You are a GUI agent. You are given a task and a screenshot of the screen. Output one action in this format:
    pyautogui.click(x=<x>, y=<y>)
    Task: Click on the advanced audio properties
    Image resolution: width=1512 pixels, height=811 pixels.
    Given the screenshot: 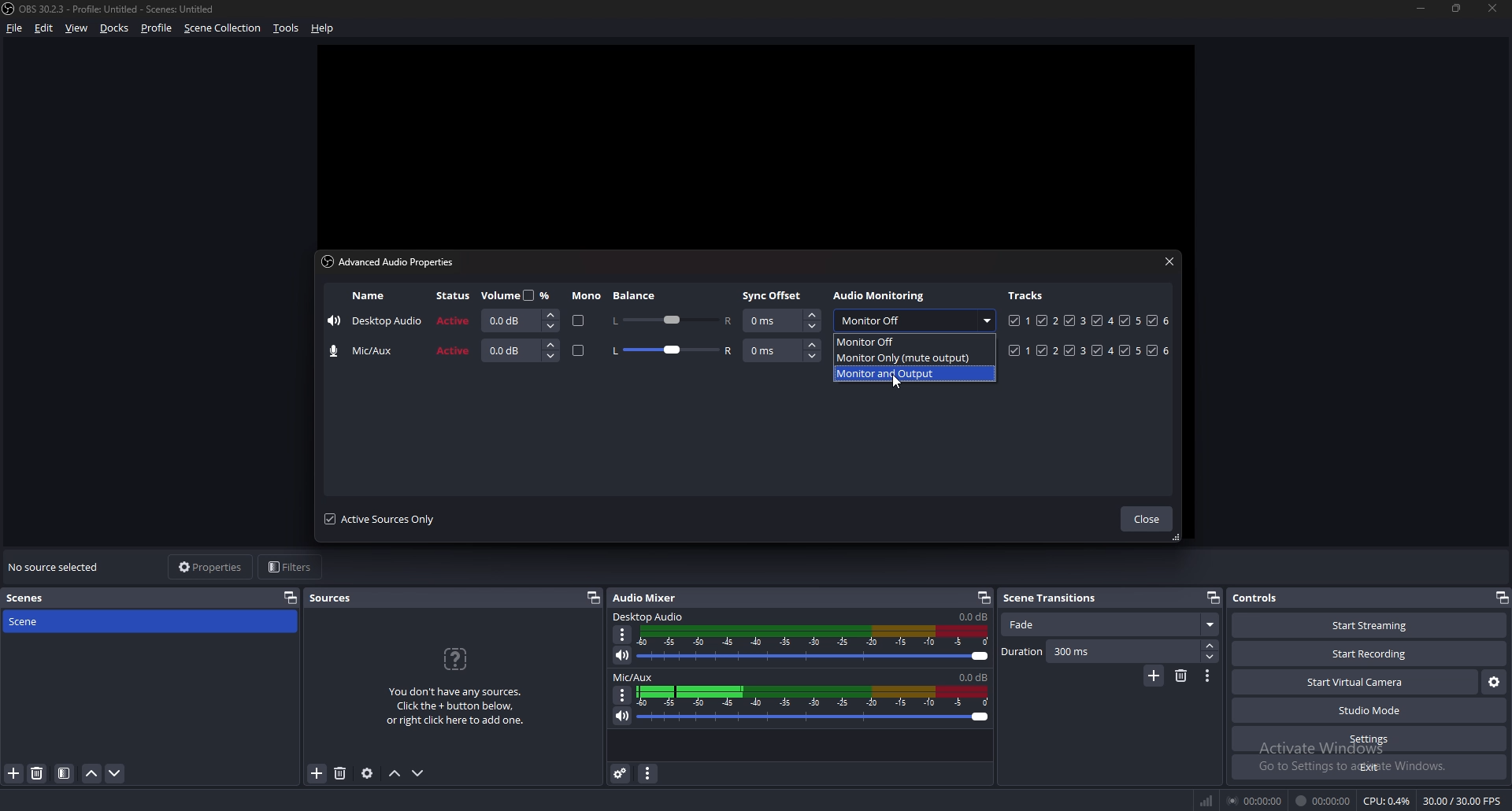 What is the action you would take?
    pyautogui.click(x=621, y=773)
    